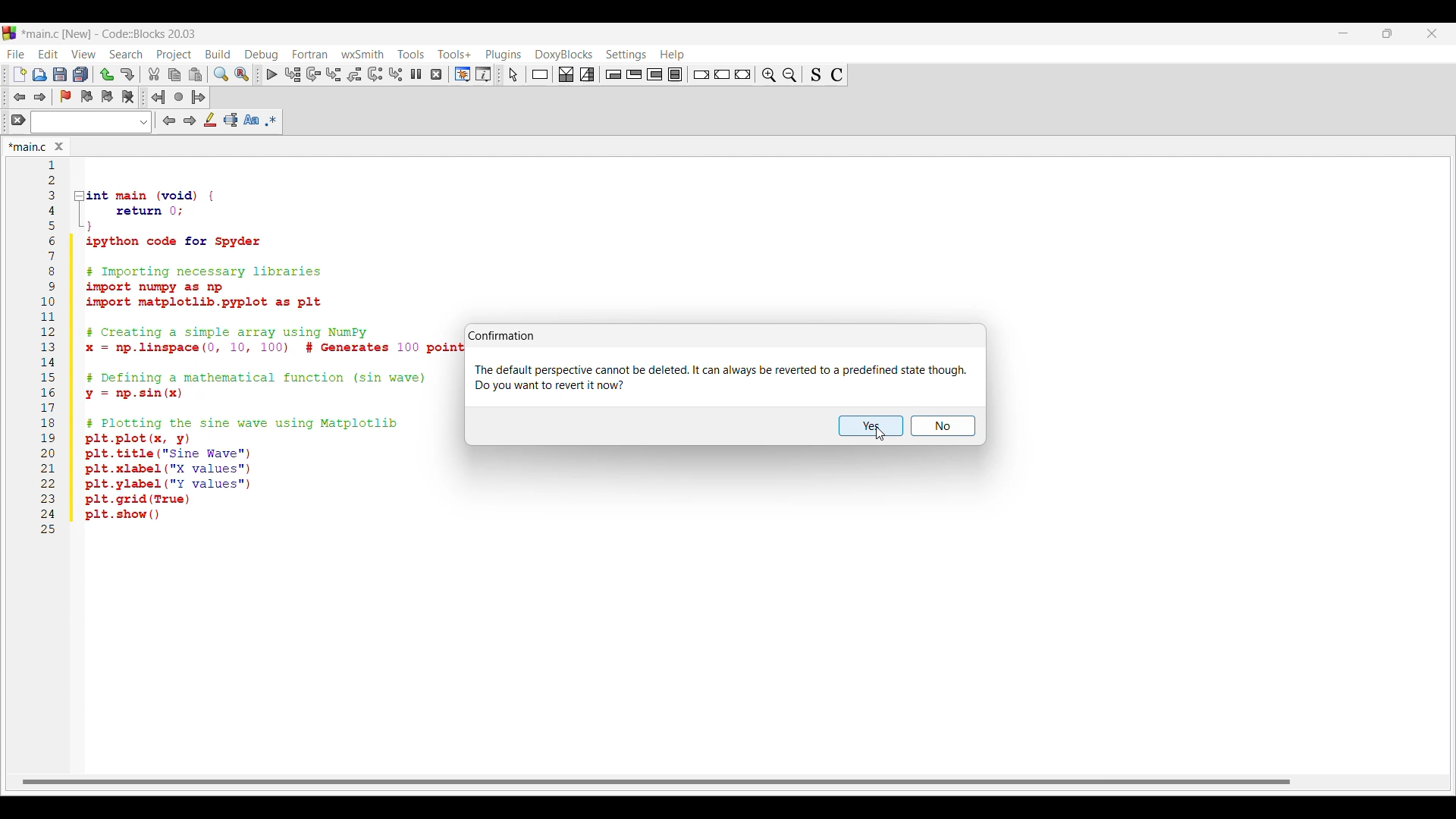  What do you see at coordinates (107, 97) in the screenshot?
I see `Next bookmark` at bounding box center [107, 97].